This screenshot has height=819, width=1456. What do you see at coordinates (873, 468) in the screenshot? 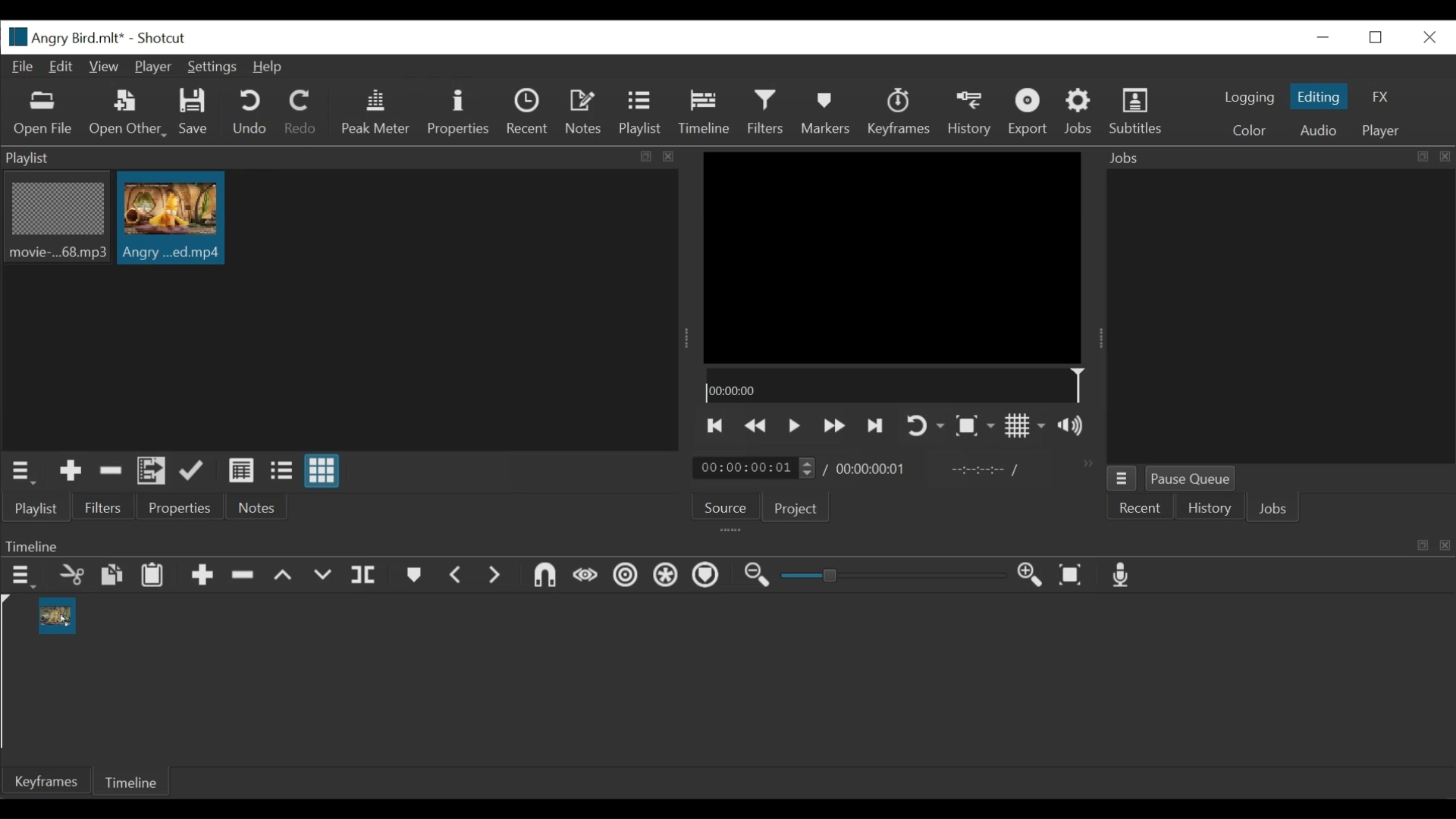
I see `Total Duration` at bounding box center [873, 468].